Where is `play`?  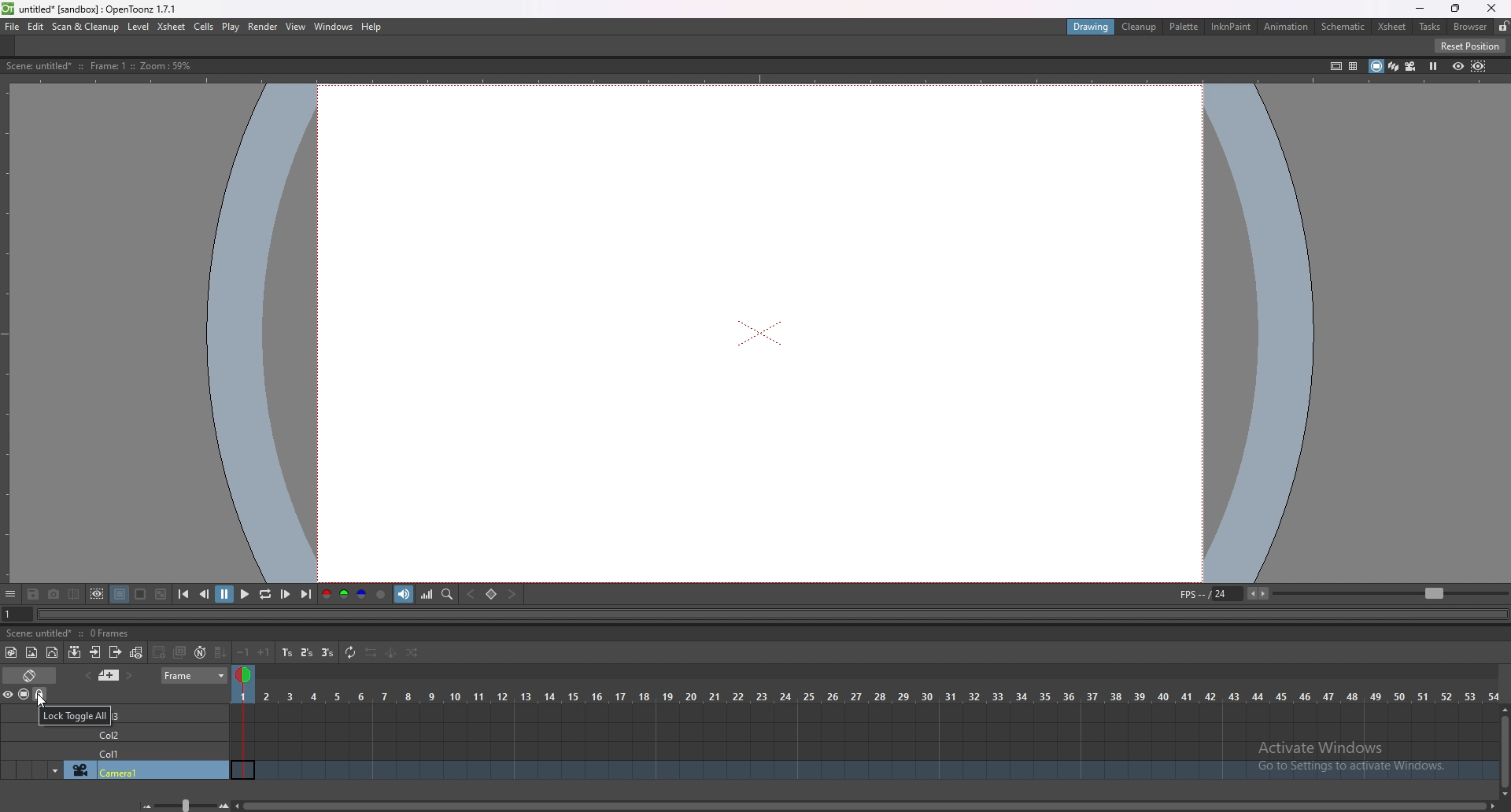
play is located at coordinates (231, 28).